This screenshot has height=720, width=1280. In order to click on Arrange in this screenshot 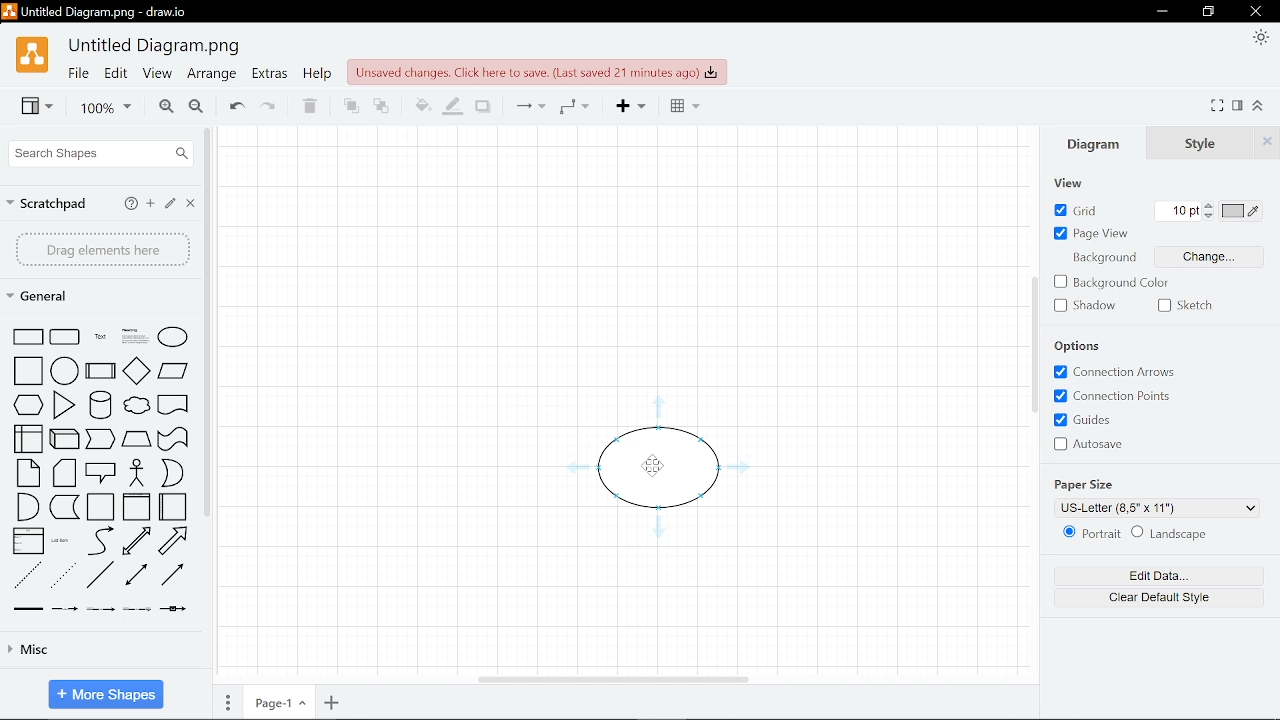, I will do `click(212, 75)`.